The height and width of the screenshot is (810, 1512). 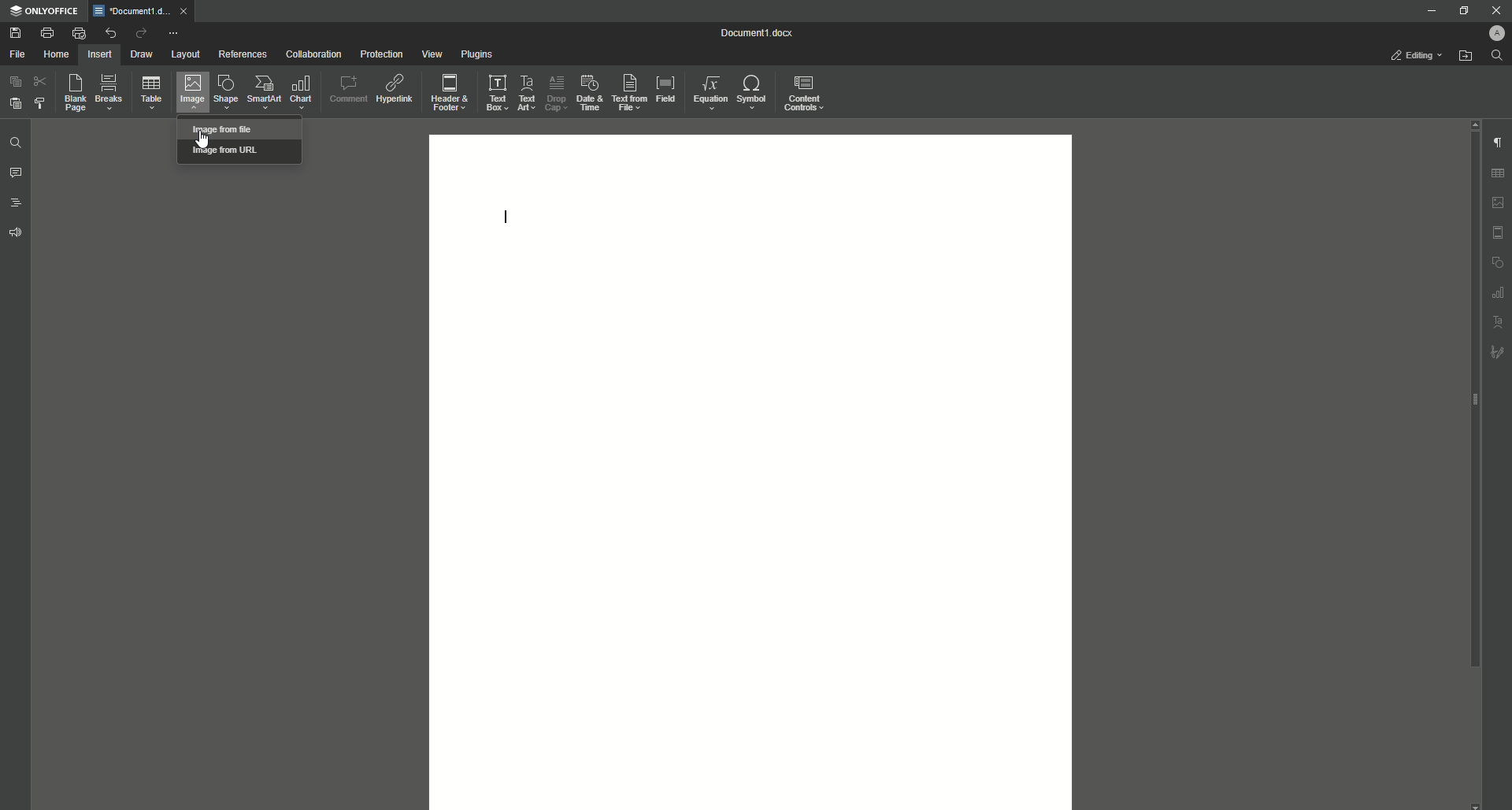 I want to click on Header and Footer, so click(x=450, y=92).